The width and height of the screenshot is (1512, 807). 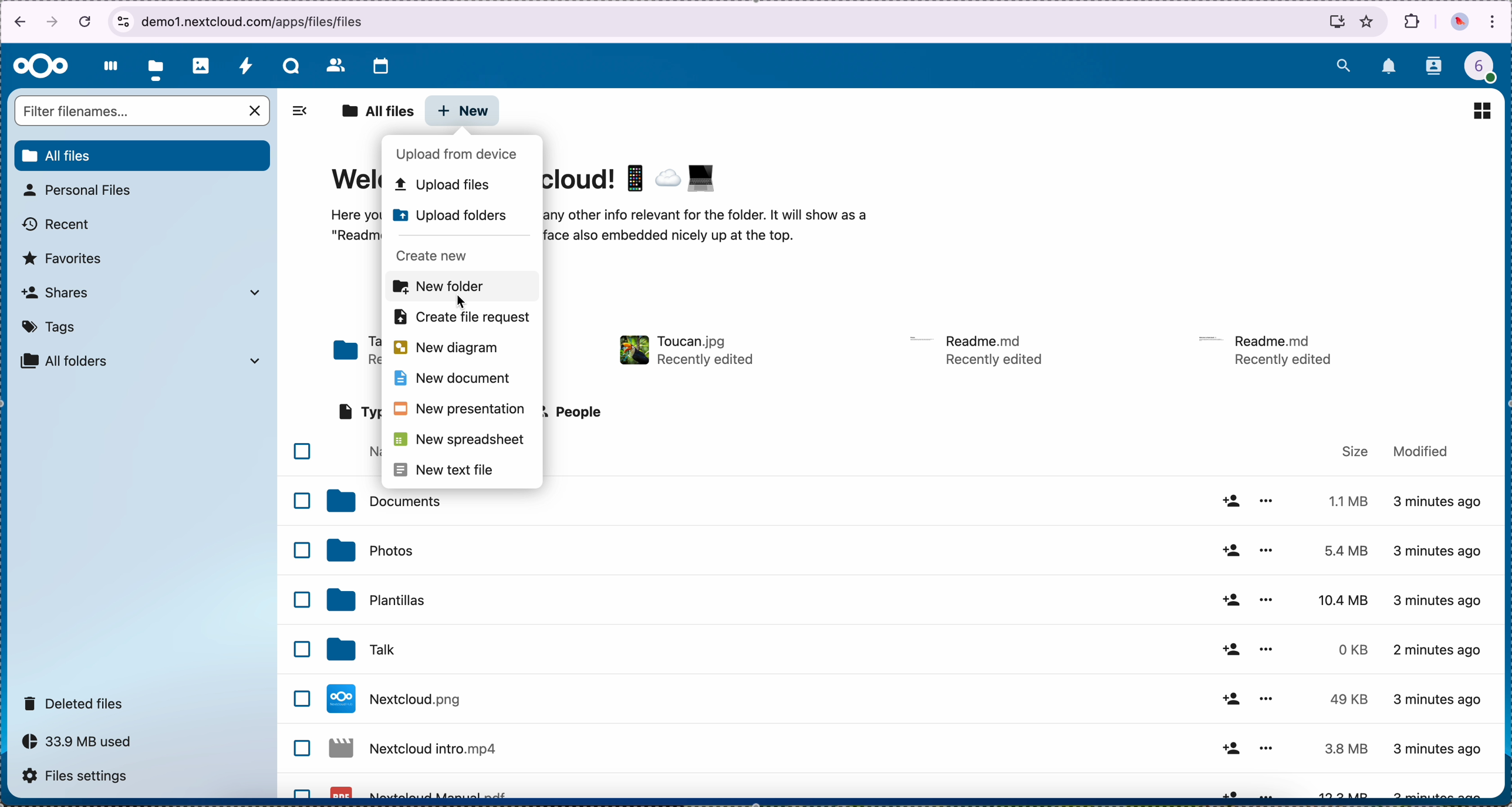 I want to click on recent, so click(x=58, y=225).